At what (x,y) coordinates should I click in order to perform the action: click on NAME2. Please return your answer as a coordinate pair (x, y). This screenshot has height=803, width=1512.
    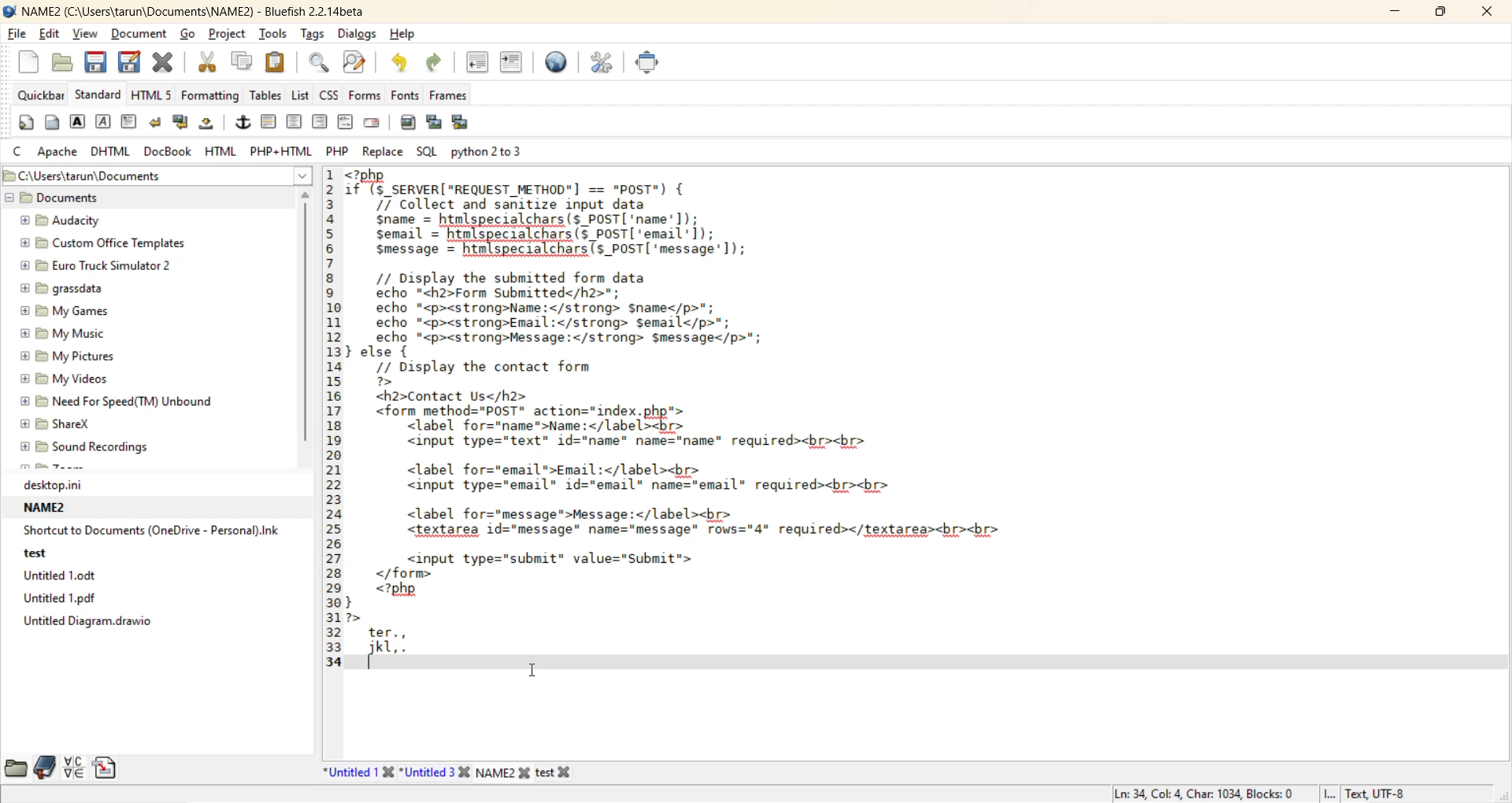
    Looking at the image, I should click on (50, 508).